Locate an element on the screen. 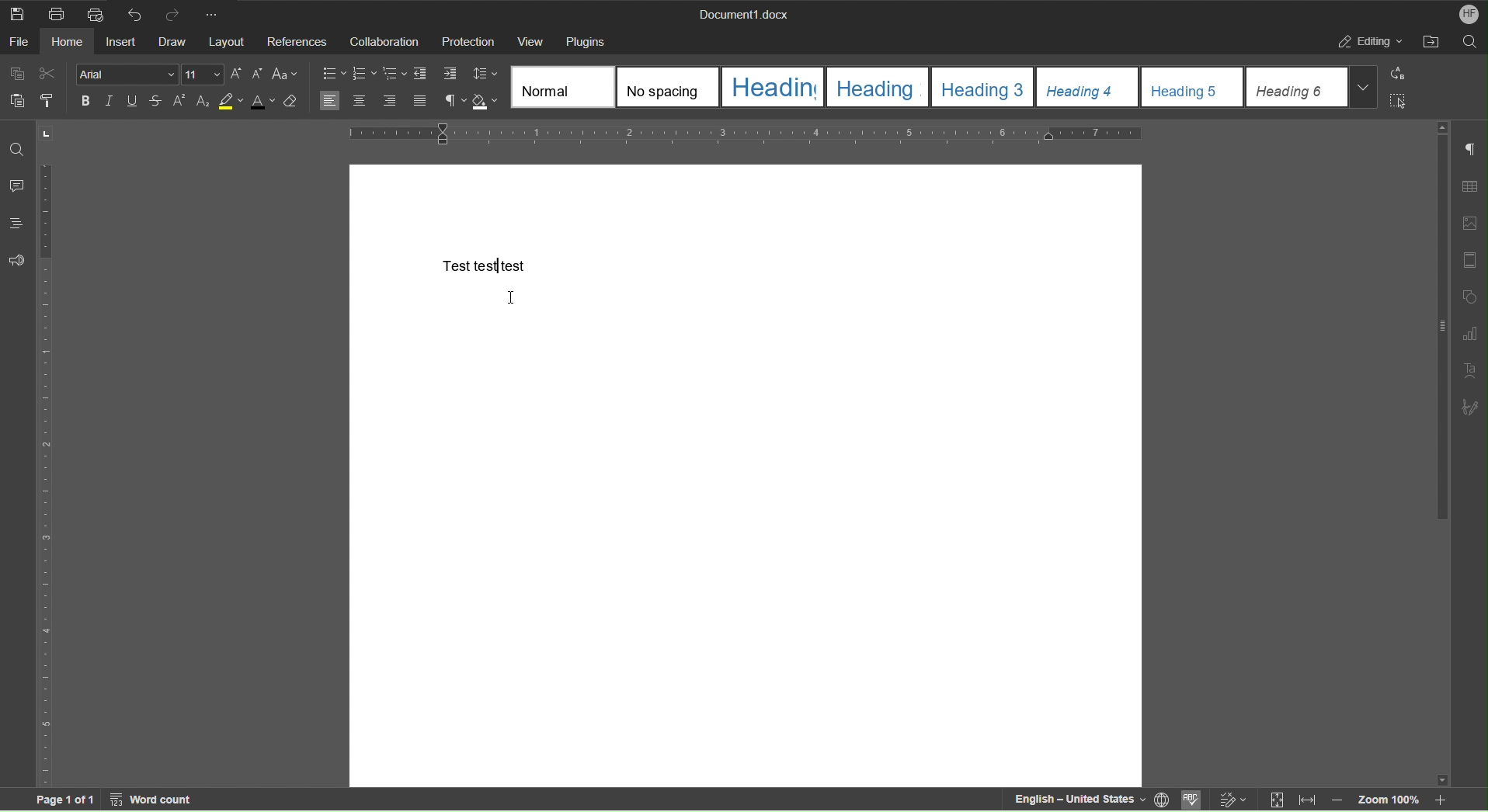 The width and height of the screenshot is (1488, 812). Increase Font Size is located at coordinates (237, 75).